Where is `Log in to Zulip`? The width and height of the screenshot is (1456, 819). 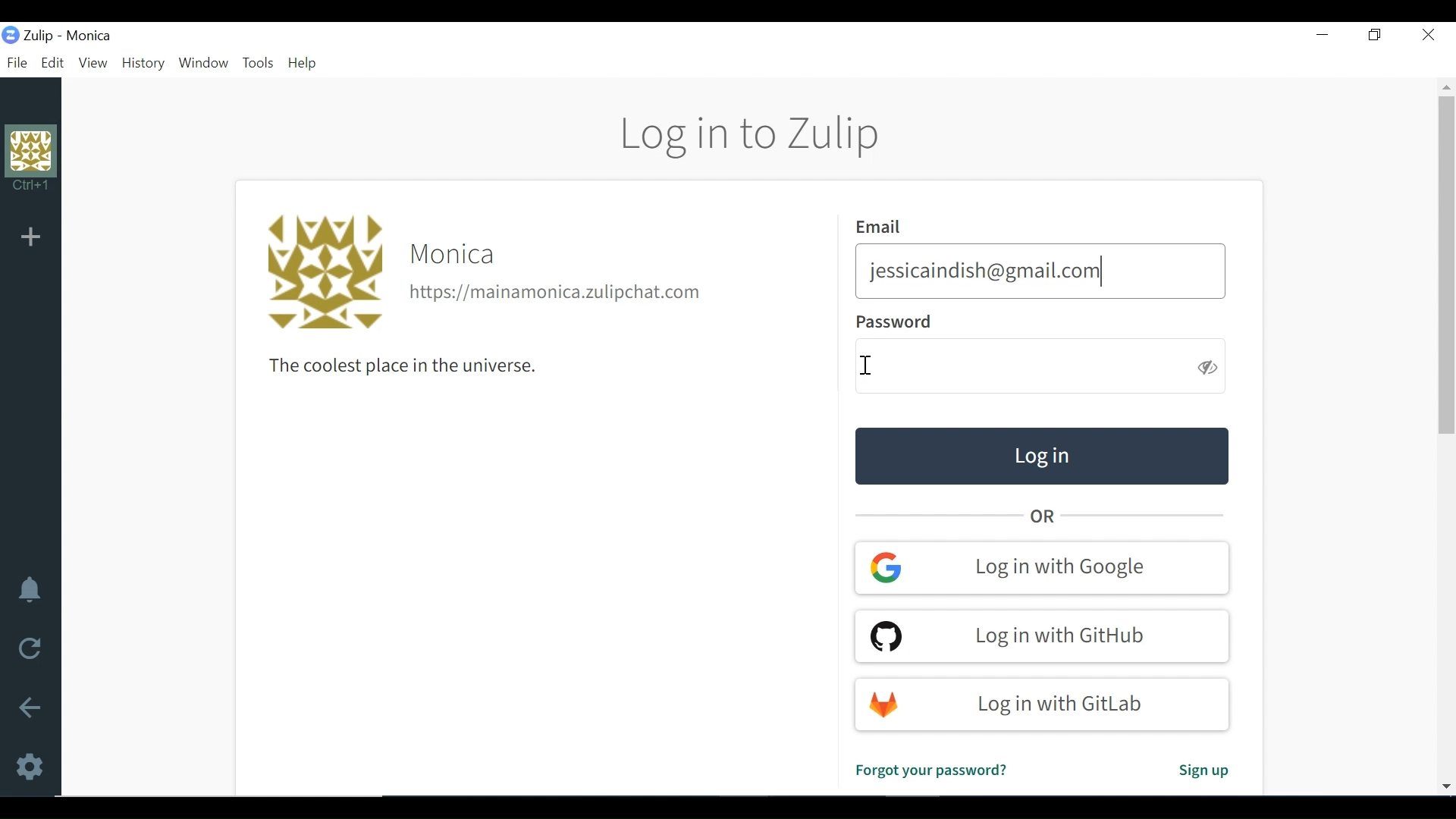 Log in to Zulip is located at coordinates (752, 136).